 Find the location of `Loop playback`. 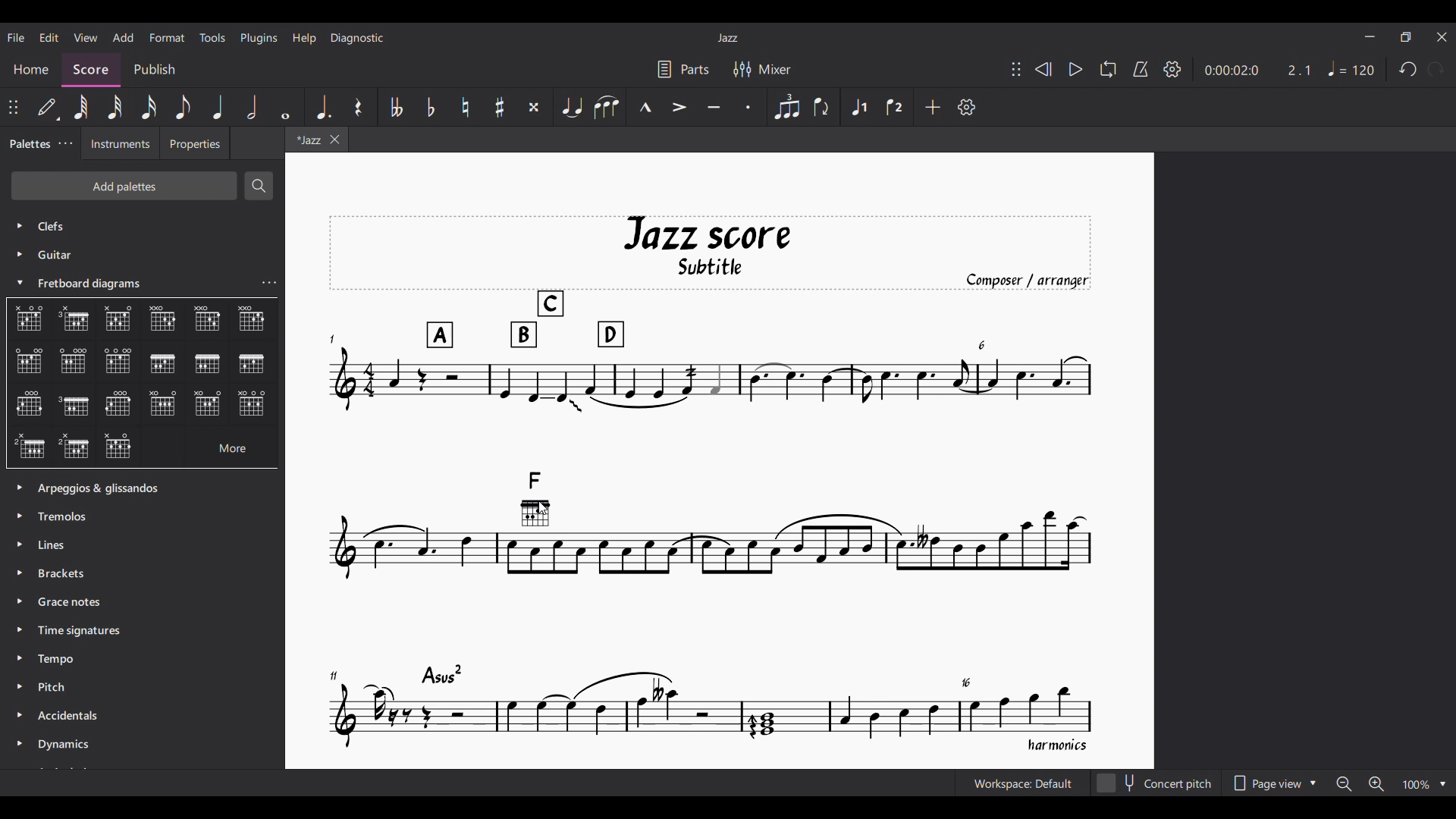

Loop playback is located at coordinates (1108, 69).